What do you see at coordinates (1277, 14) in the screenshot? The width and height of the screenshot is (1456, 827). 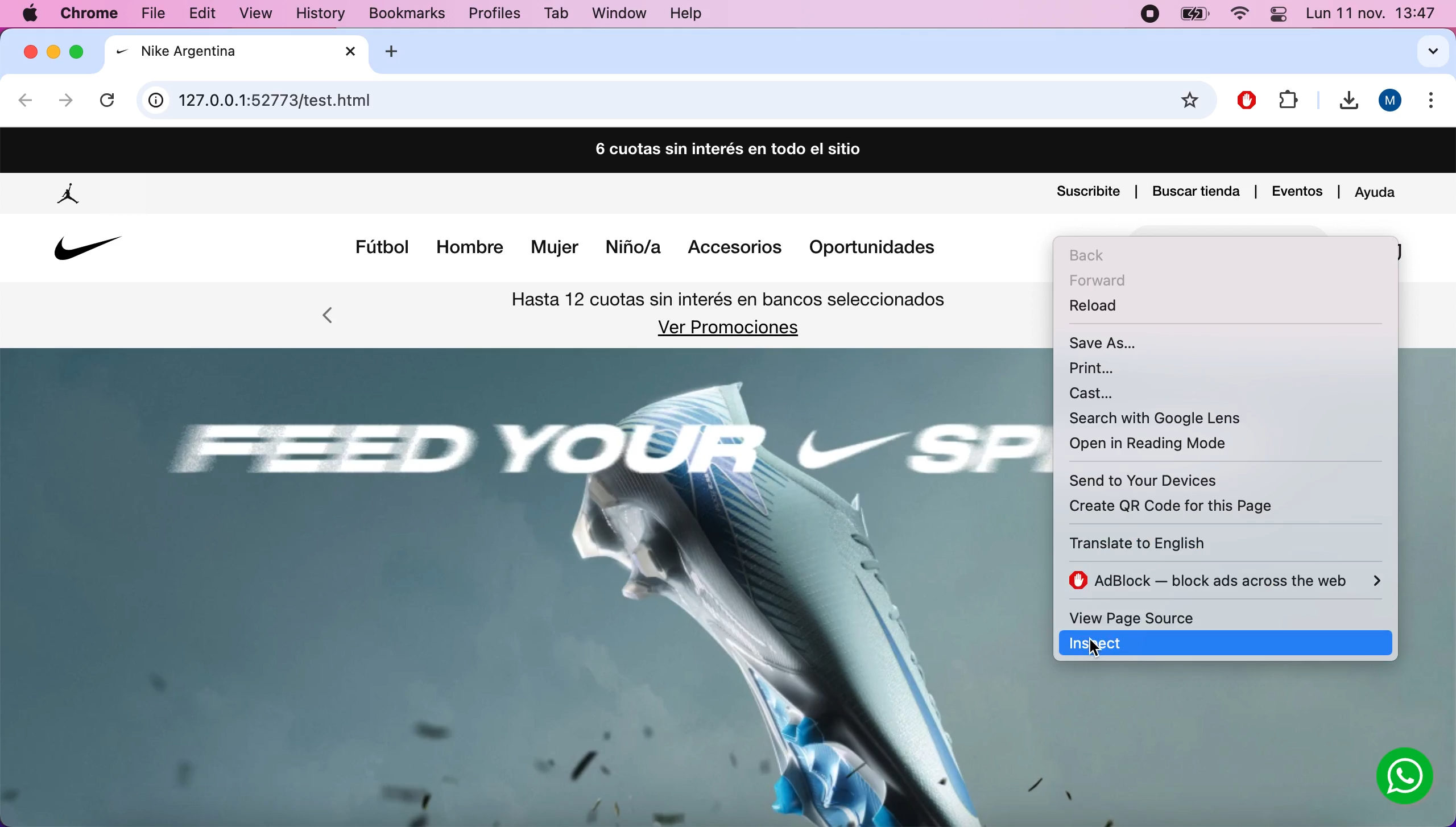 I see `panel control` at bounding box center [1277, 14].